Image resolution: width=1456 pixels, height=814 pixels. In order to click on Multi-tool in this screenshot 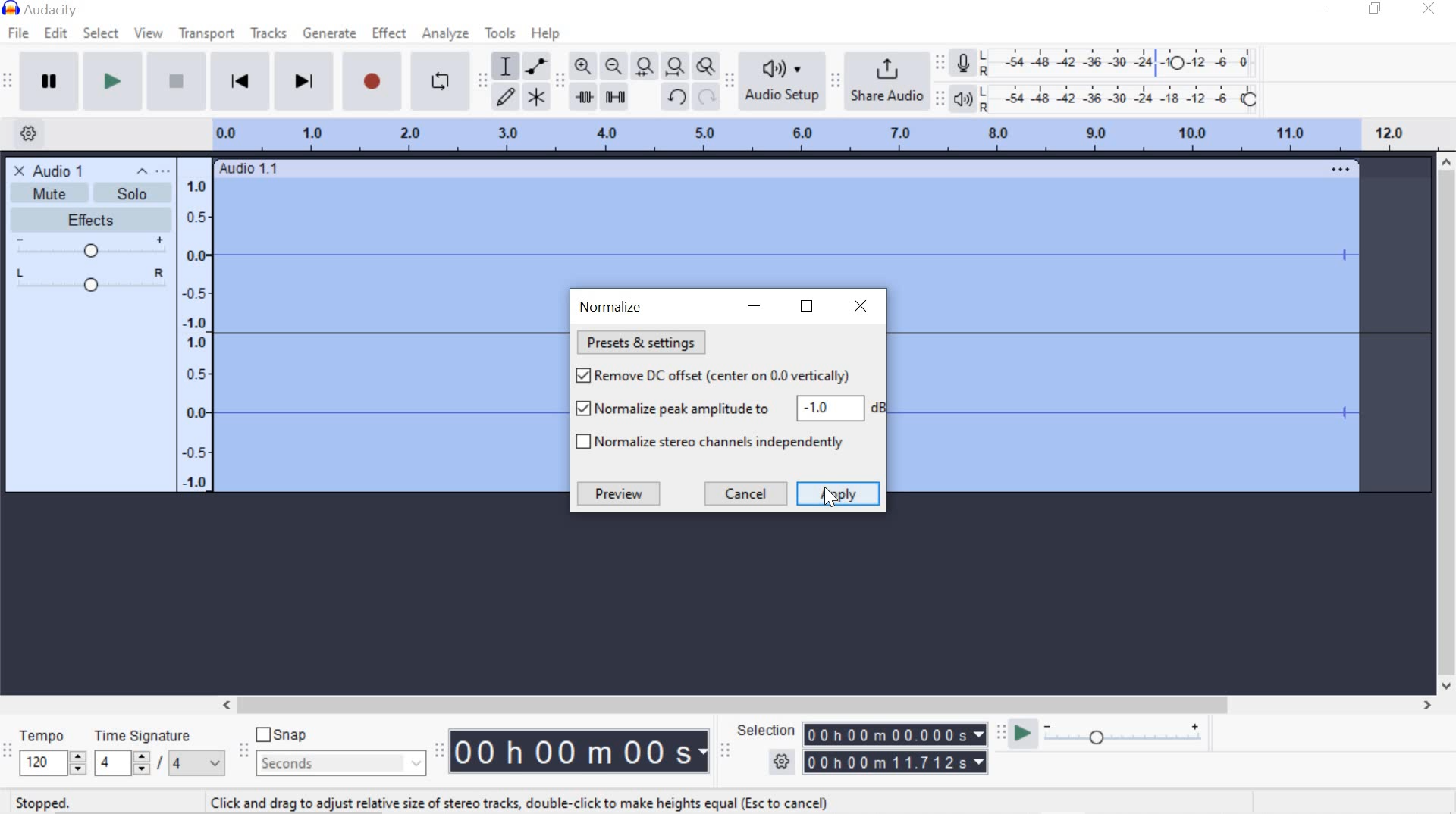, I will do `click(537, 96)`.